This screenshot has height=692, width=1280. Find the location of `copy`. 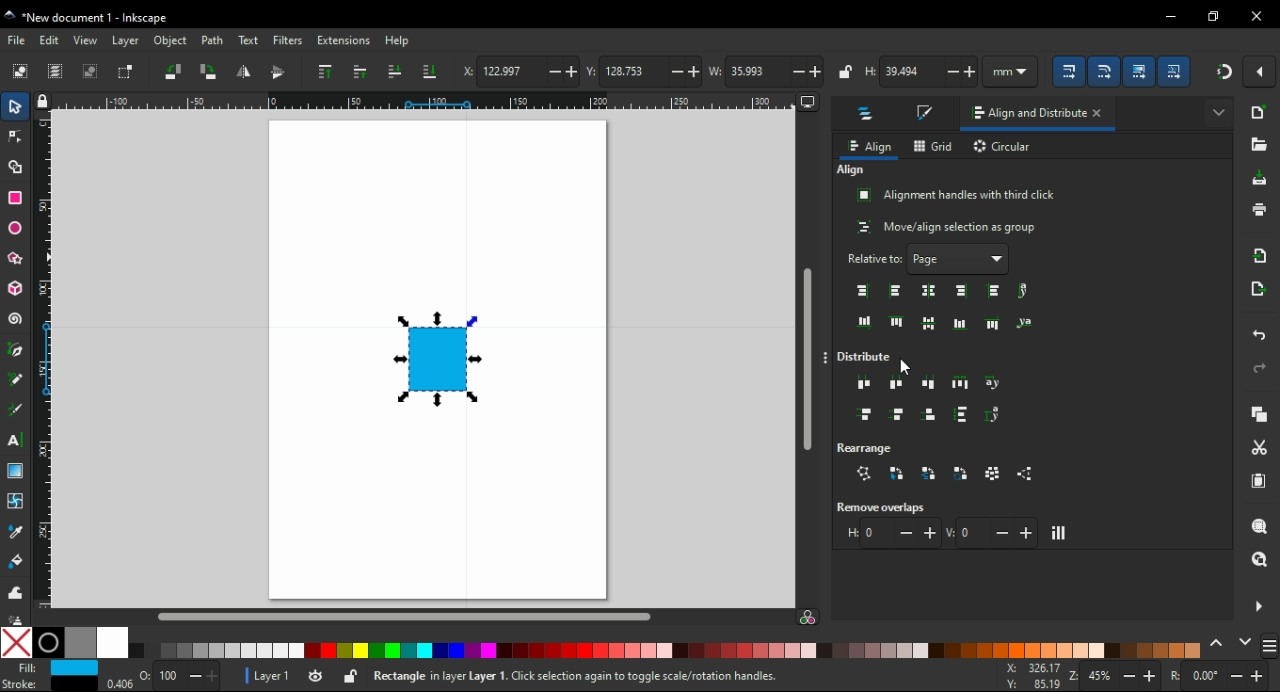

copy is located at coordinates (1261, 414).